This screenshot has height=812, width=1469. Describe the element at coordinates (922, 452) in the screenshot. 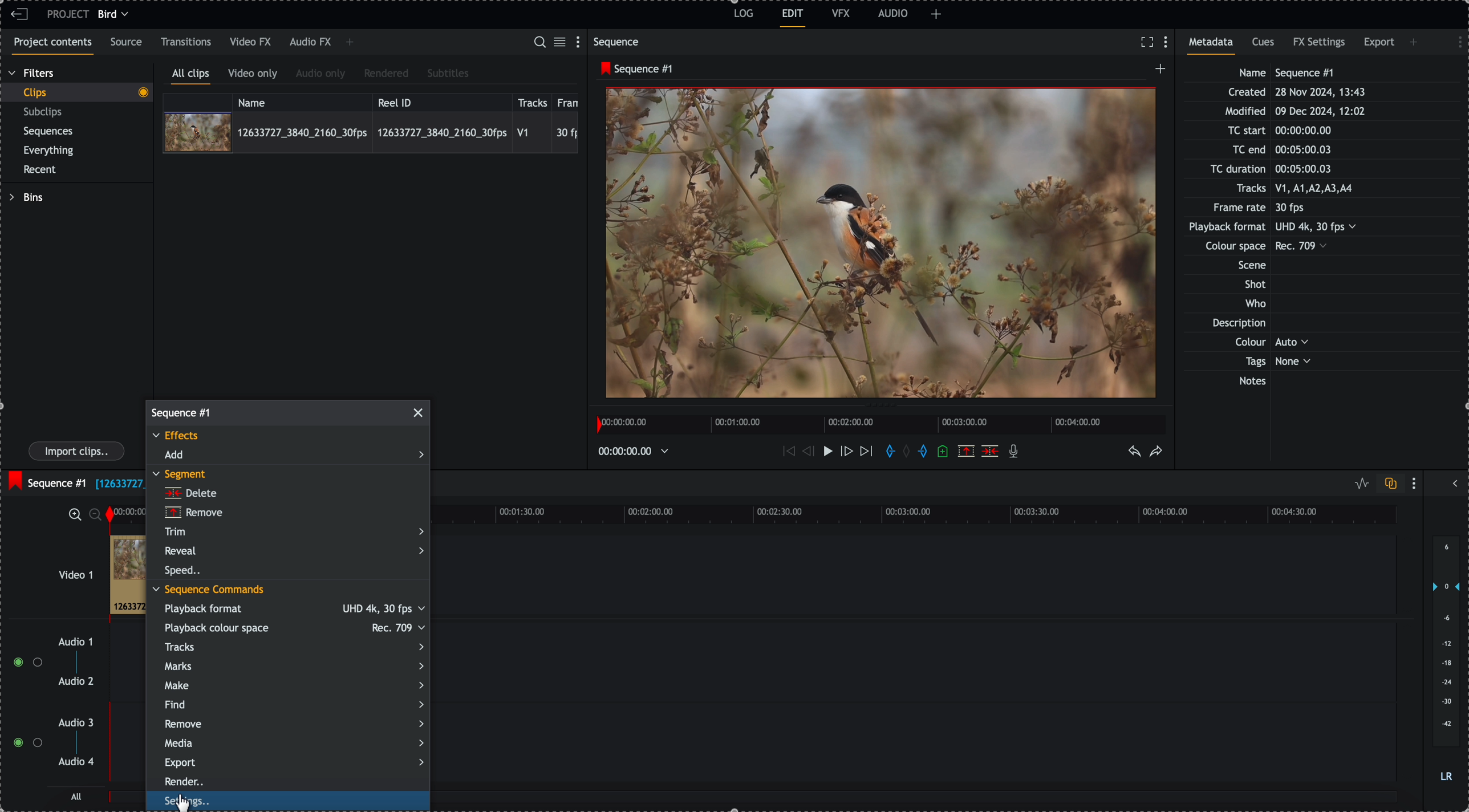

I see `add 'out' mark` at that location.